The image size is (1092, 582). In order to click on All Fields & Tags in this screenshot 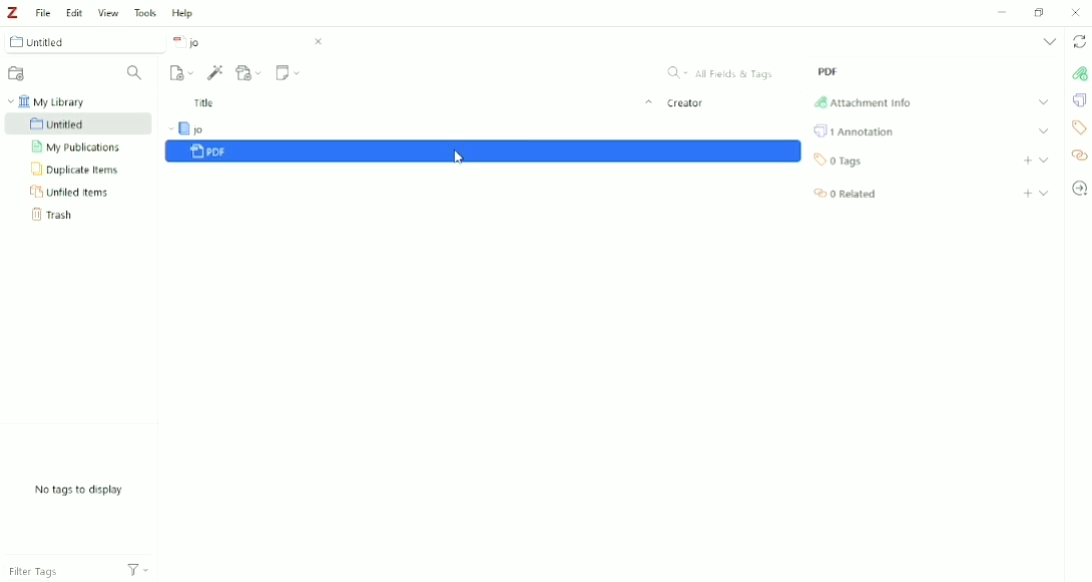, I will do `click(723, 71)`.